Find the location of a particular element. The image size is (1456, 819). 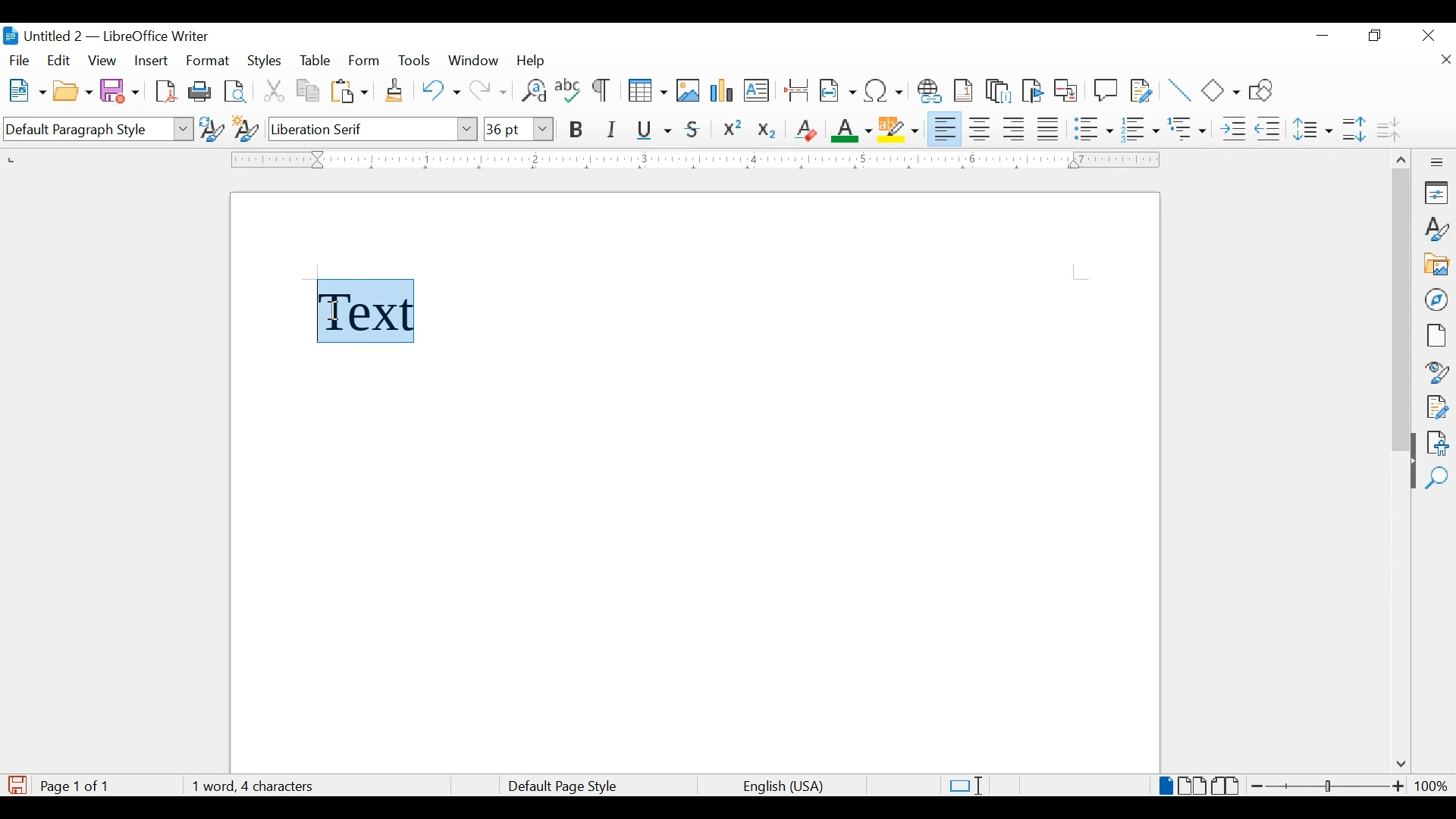

underline is located at coordinates (654, 130).